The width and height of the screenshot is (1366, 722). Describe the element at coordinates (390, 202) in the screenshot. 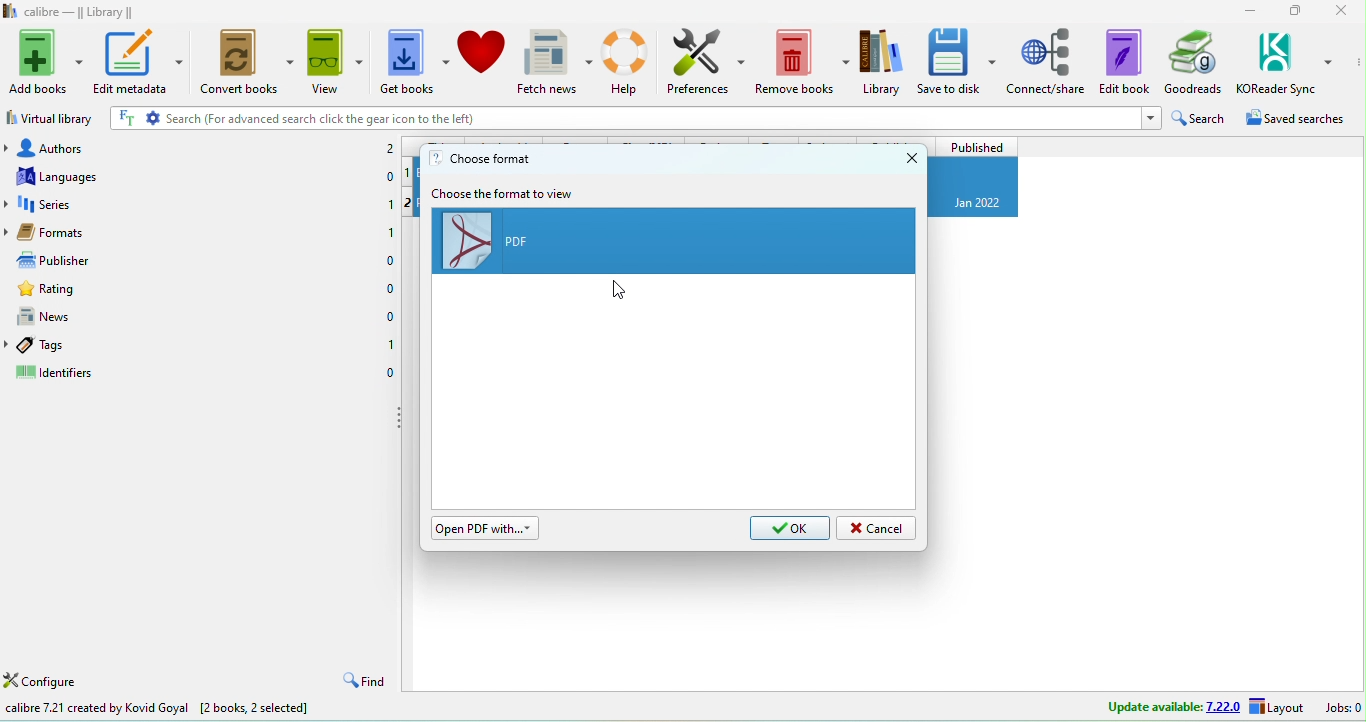

I see `1` at that location.